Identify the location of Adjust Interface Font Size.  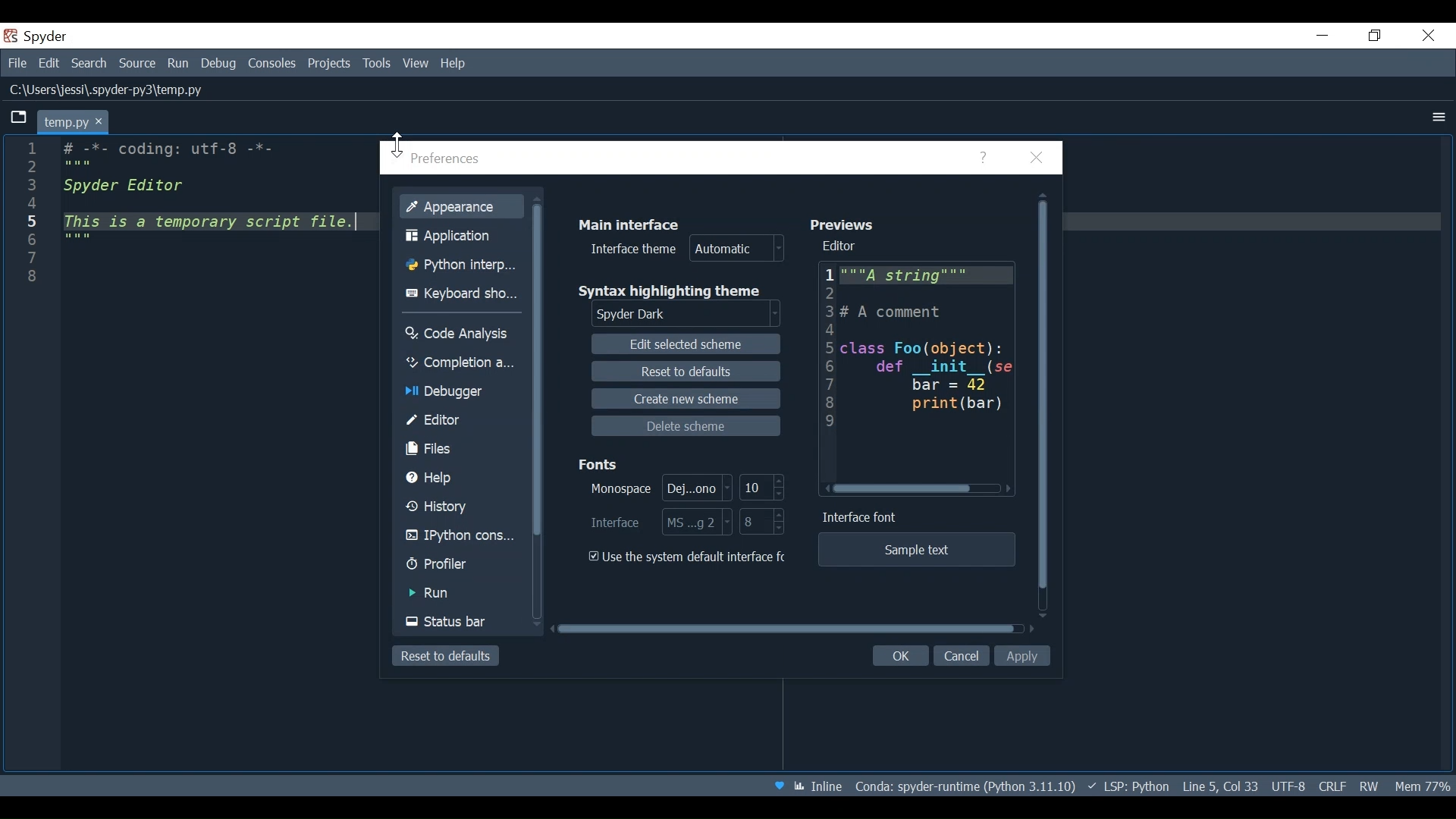
(763, 522).